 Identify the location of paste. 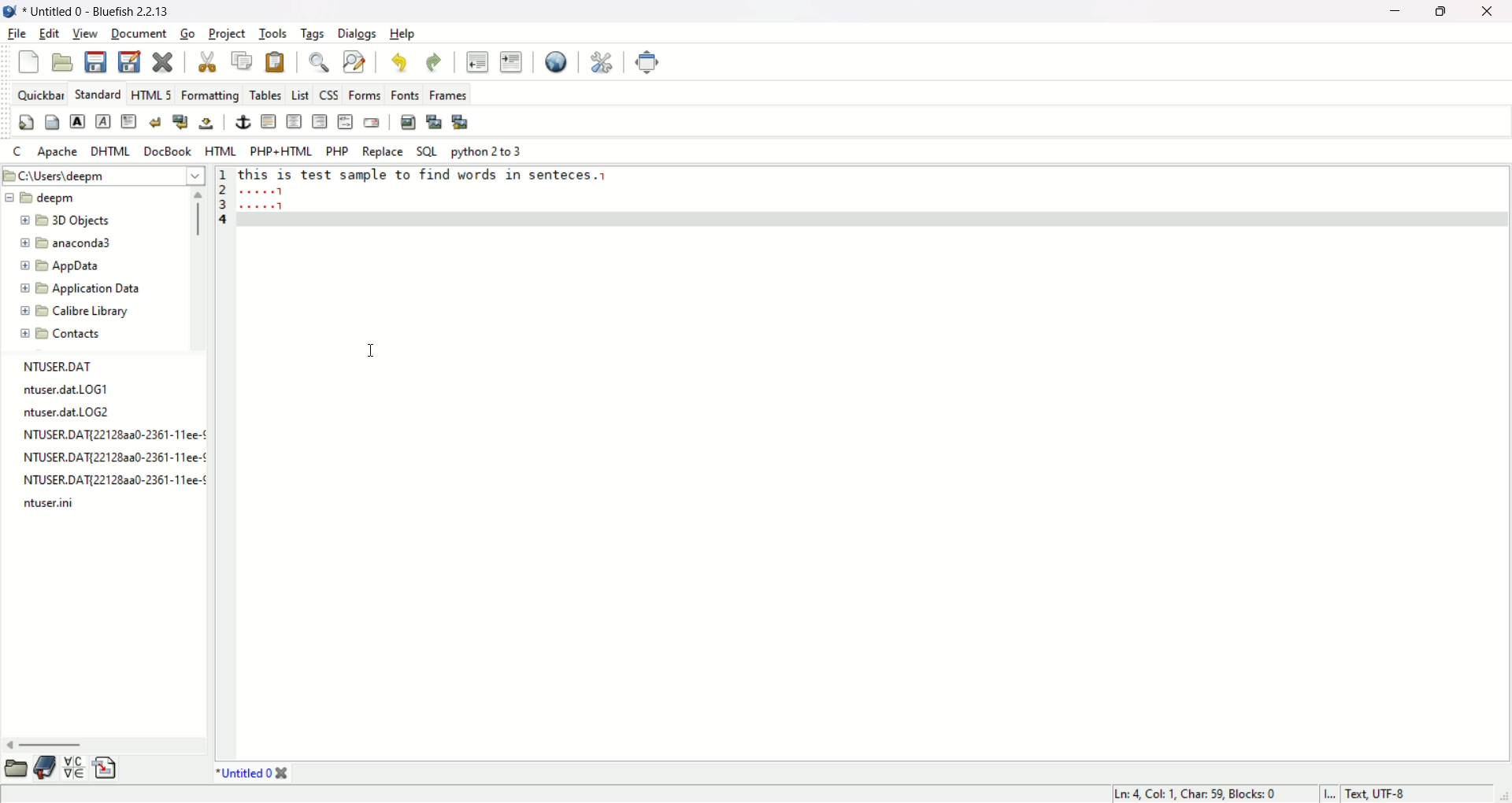
(276, 61).